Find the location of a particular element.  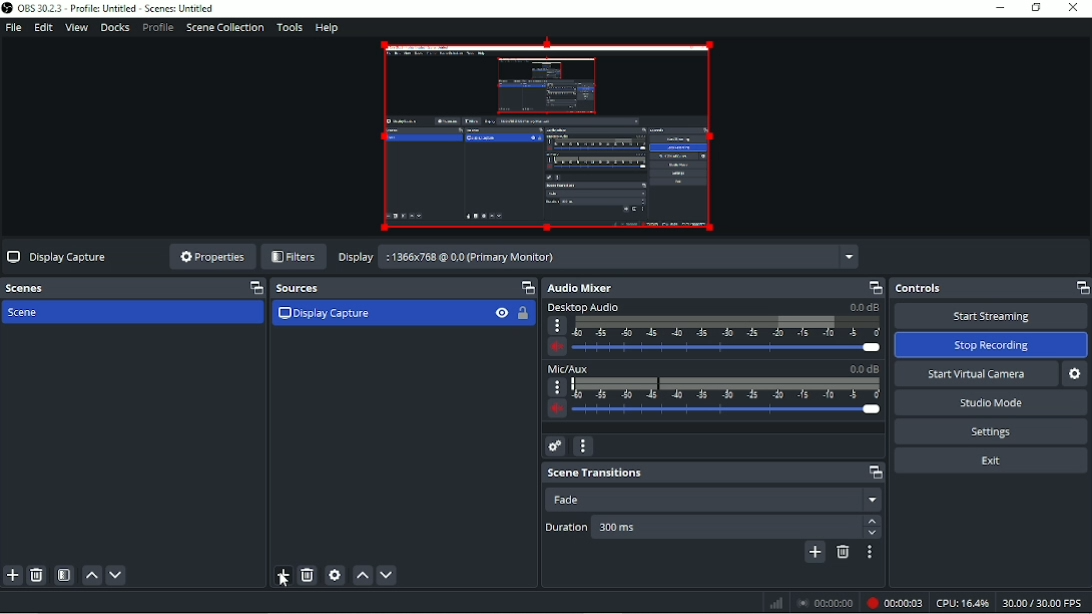

Studio mode is located at coordinates (992, 403).